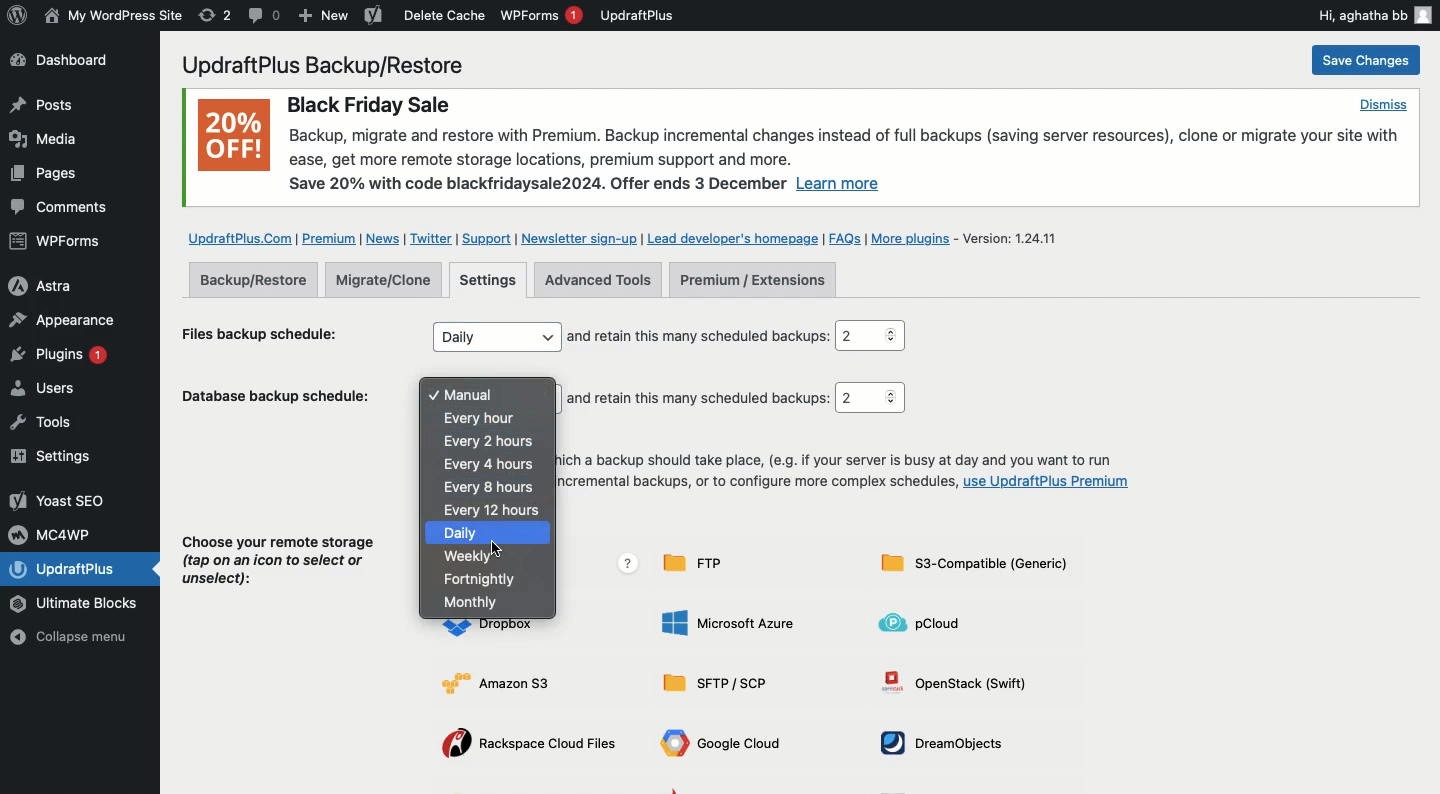 The height and width of the screenshot is (794, 1440). Describe the element at coordinates (367, 102) in the screenshot. I see `Black Friday Sale` at that location.